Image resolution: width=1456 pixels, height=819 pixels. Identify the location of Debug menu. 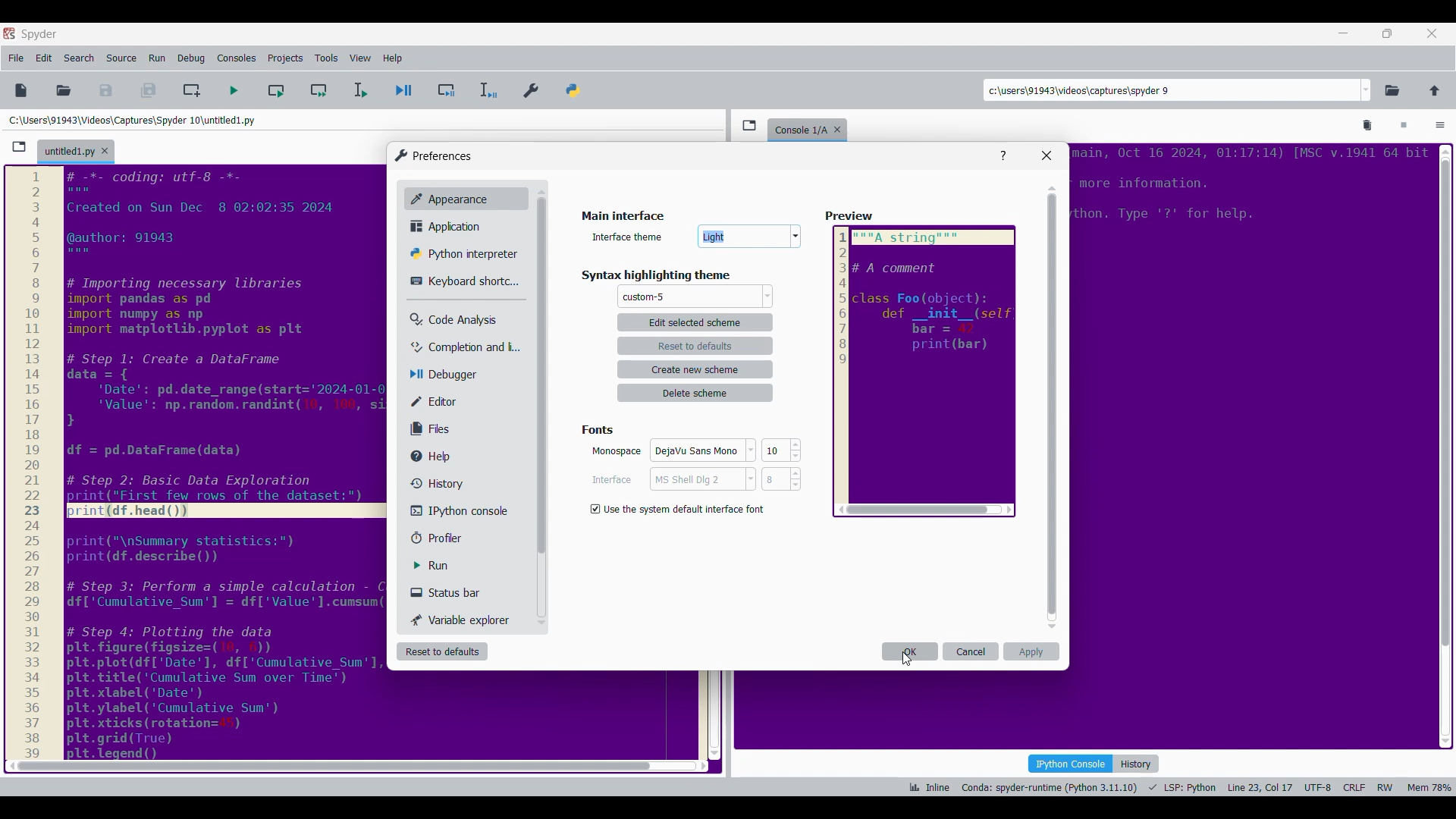
(191, 58).